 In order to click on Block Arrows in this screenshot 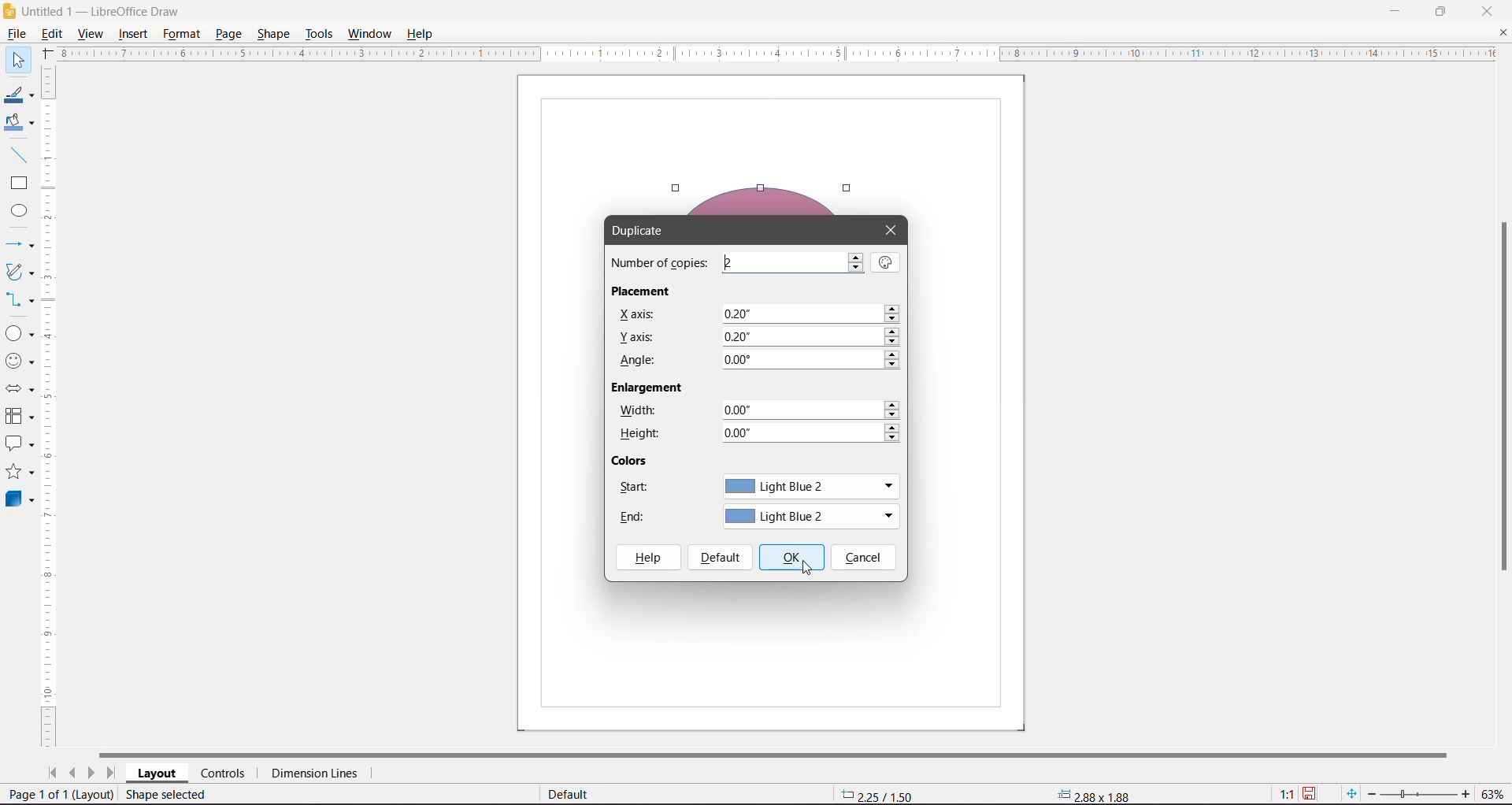, I will do `click(20, 389)`.